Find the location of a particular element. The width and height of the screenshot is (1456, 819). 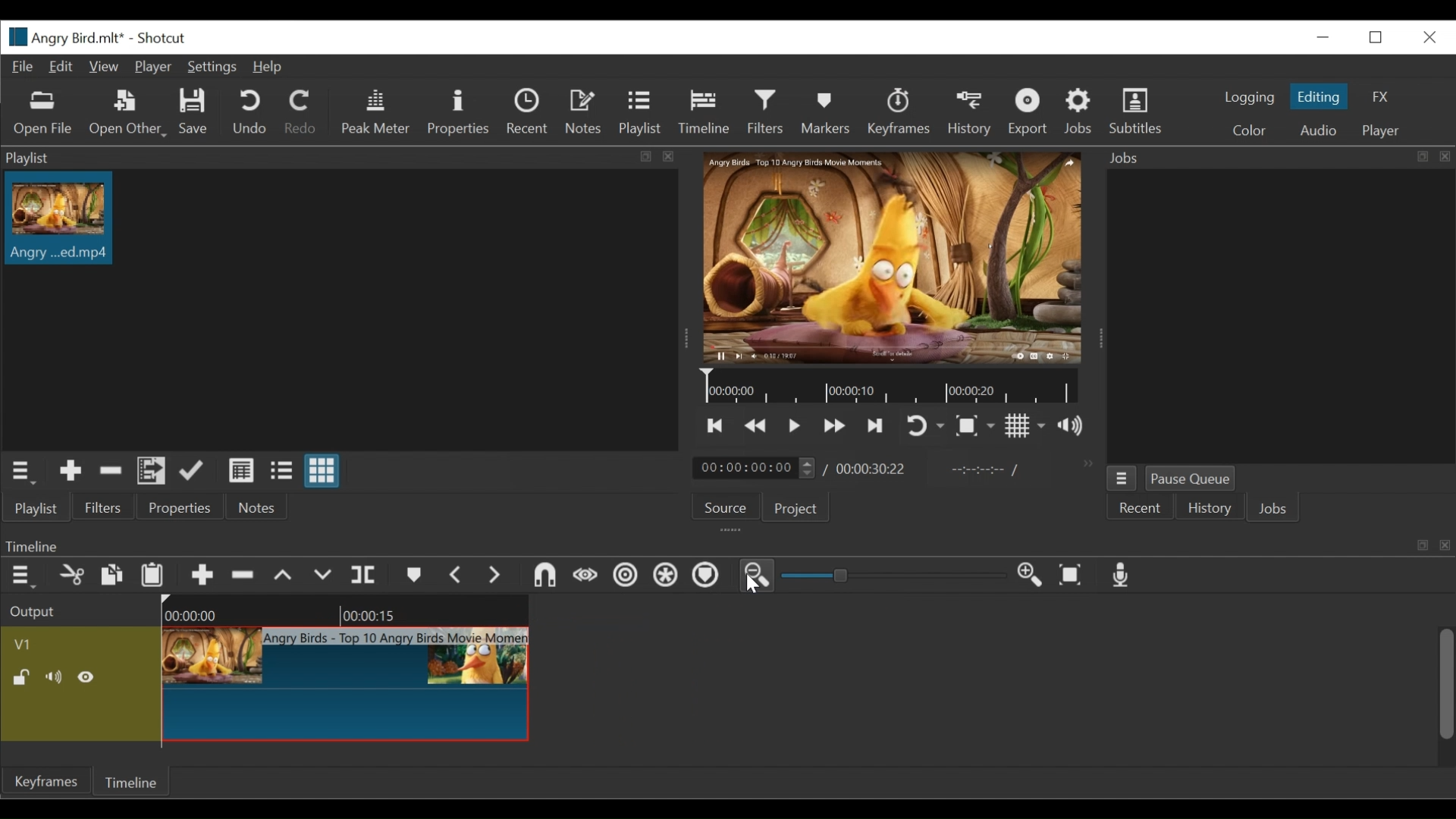

Play backward quickly is located at coordinates (756, 427).